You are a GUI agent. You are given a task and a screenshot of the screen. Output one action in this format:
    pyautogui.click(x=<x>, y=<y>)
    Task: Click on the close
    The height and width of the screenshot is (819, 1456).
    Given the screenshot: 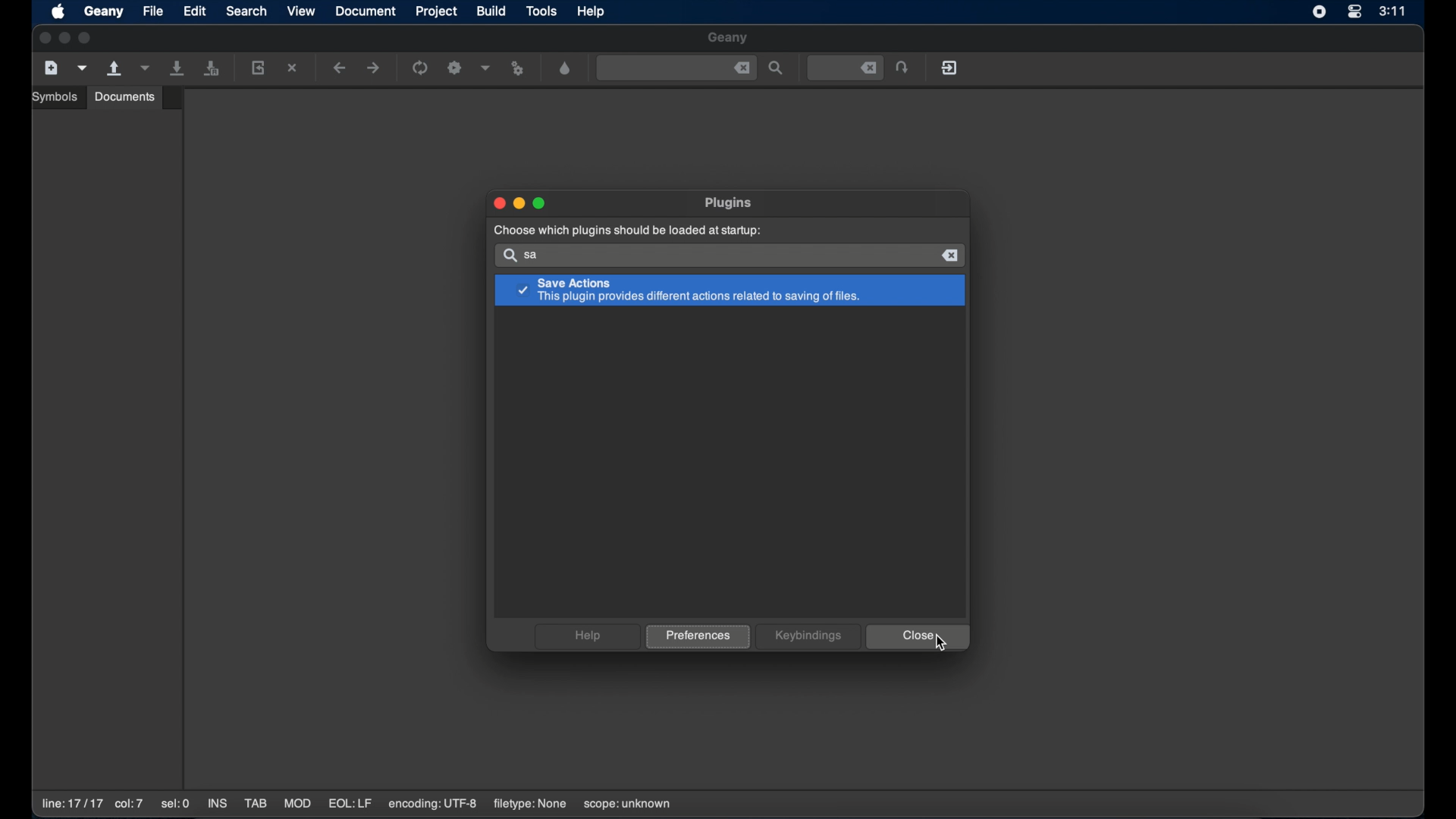 What is the action you would take?
    pyautogui.click(x=918, y=637)
    